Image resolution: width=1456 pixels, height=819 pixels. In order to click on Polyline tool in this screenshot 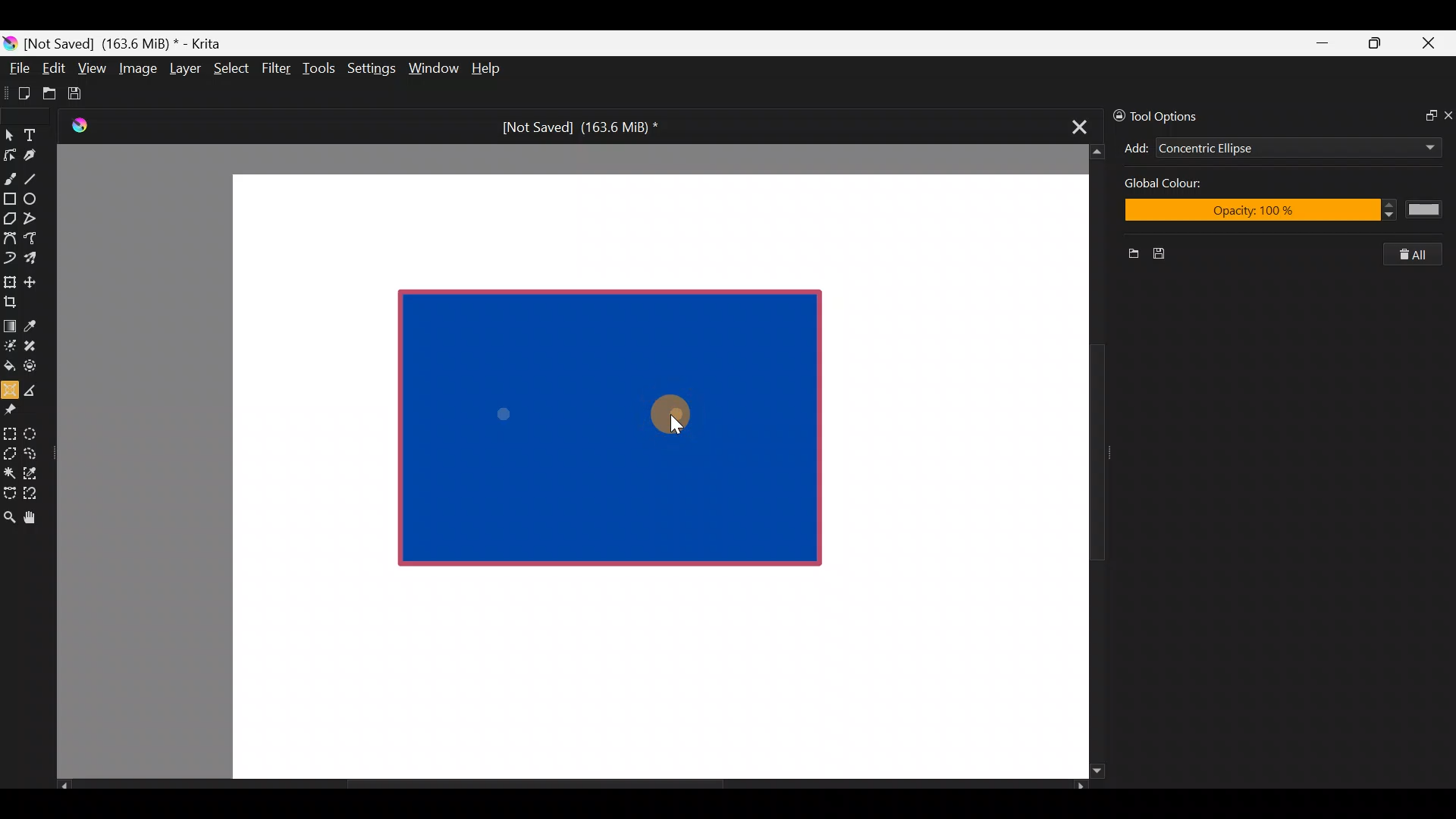, I will do `click(36, 219)`.